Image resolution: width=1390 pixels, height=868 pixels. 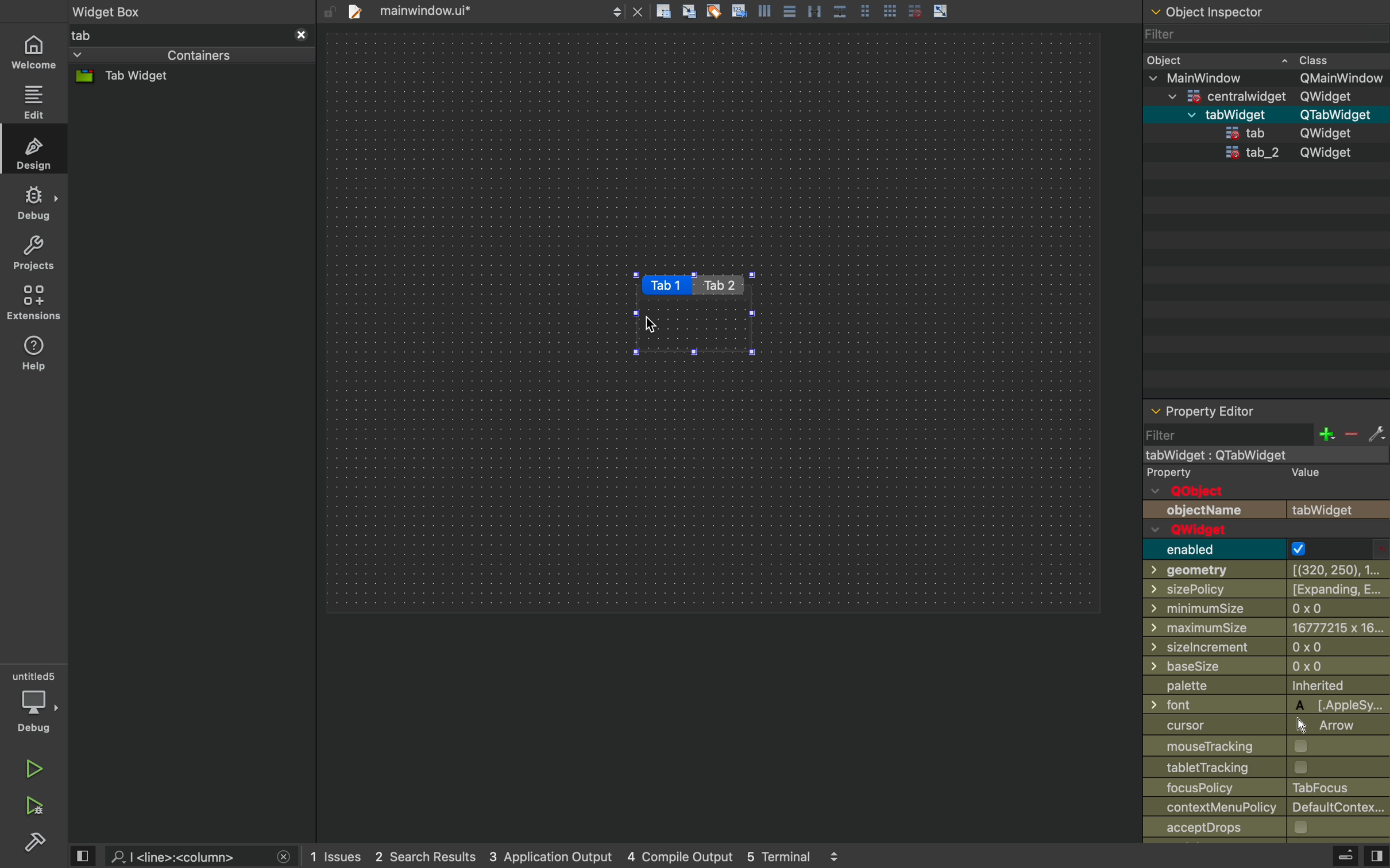 What do you see at coordinates (764, 10) in the screenshot?
I see `align left` at bounding box center [764, 10].